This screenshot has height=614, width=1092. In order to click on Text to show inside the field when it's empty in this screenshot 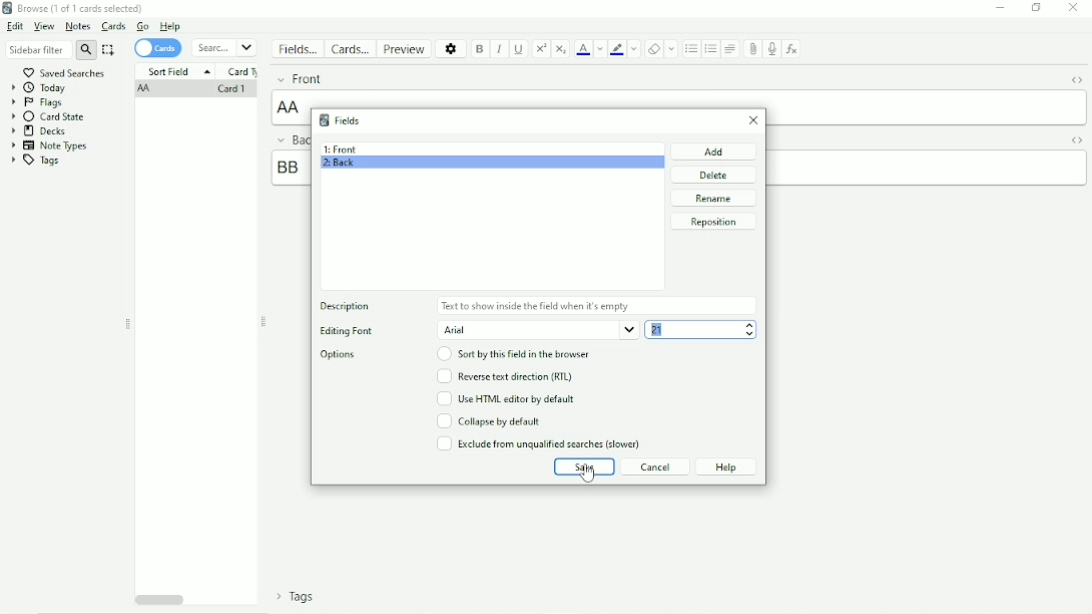, I will do `click(537, 306)`.